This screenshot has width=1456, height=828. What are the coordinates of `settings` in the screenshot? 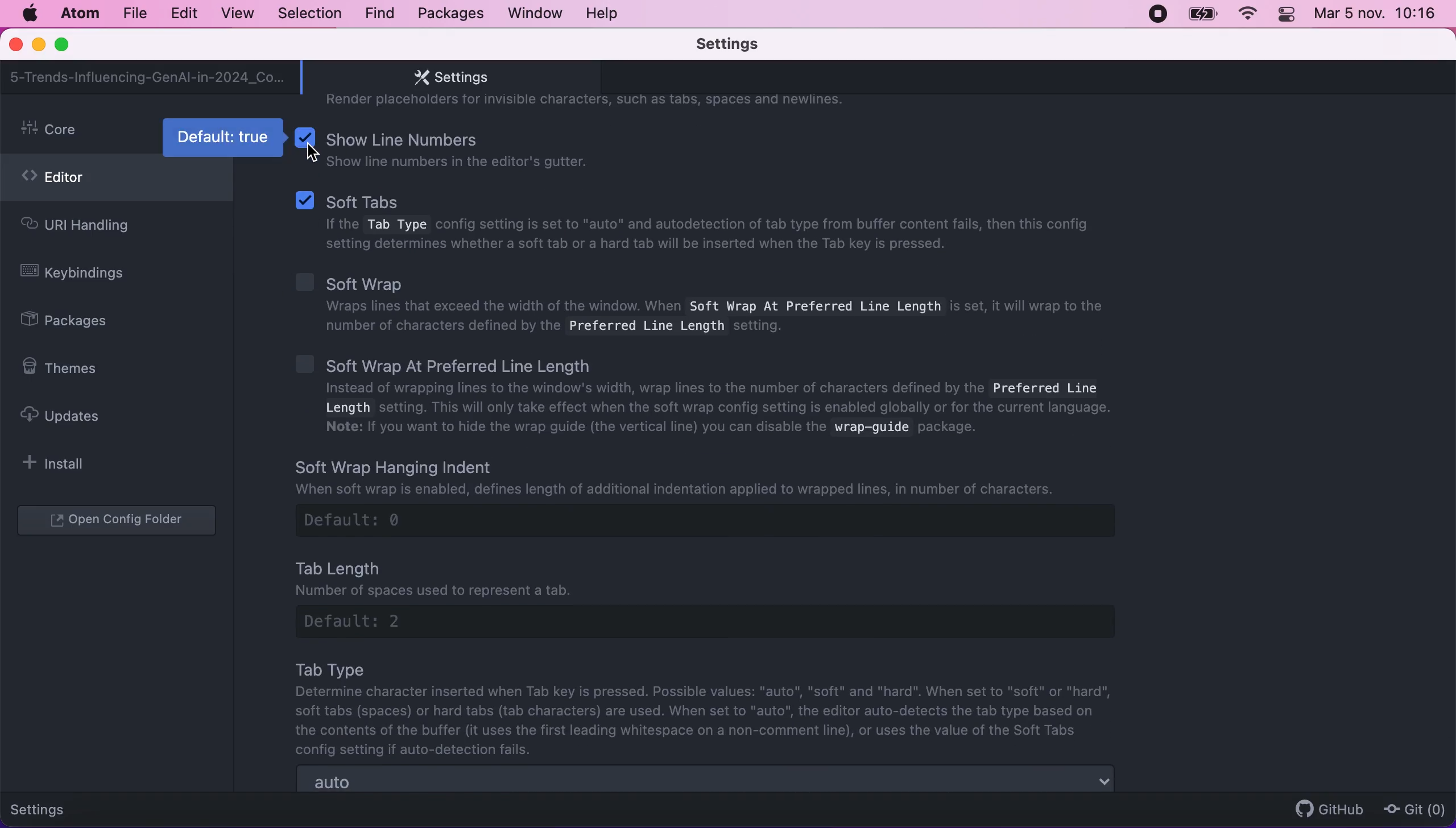 It's located at (47, 808).